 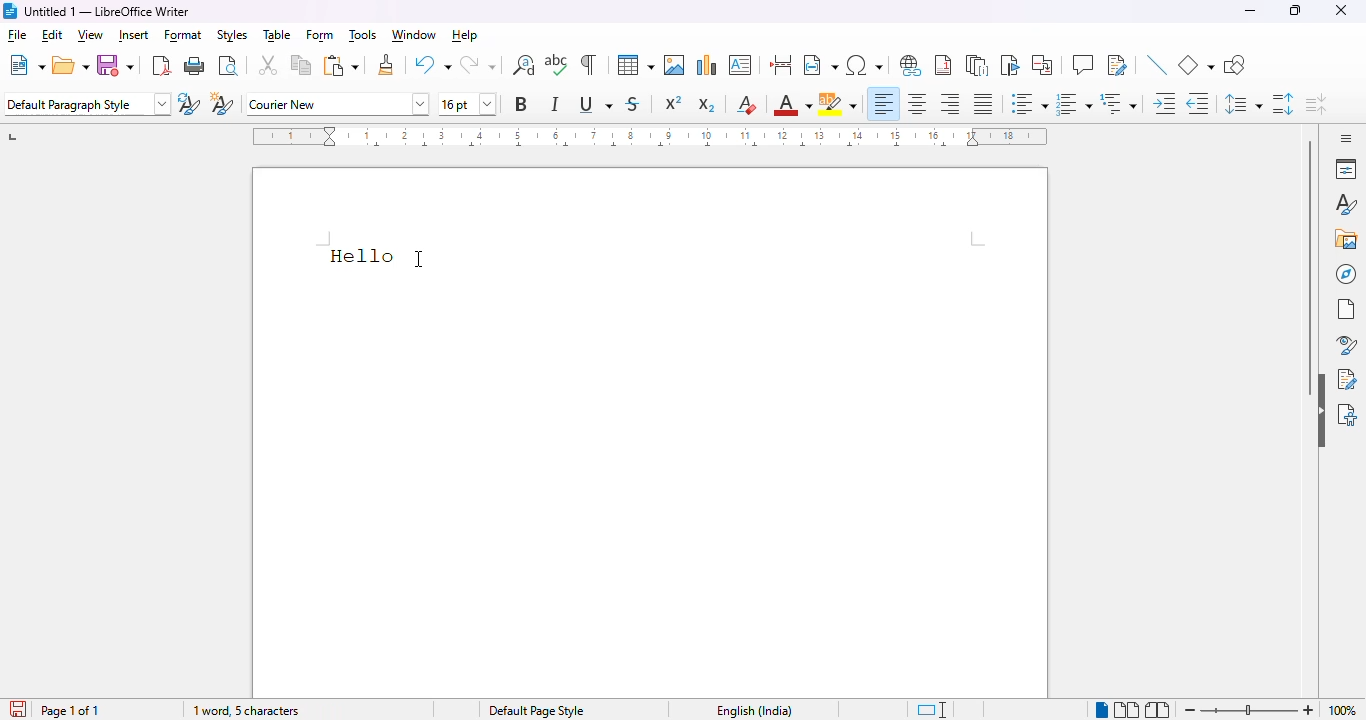 I want to click on clear direct formatting, so click(x=748, y=104).